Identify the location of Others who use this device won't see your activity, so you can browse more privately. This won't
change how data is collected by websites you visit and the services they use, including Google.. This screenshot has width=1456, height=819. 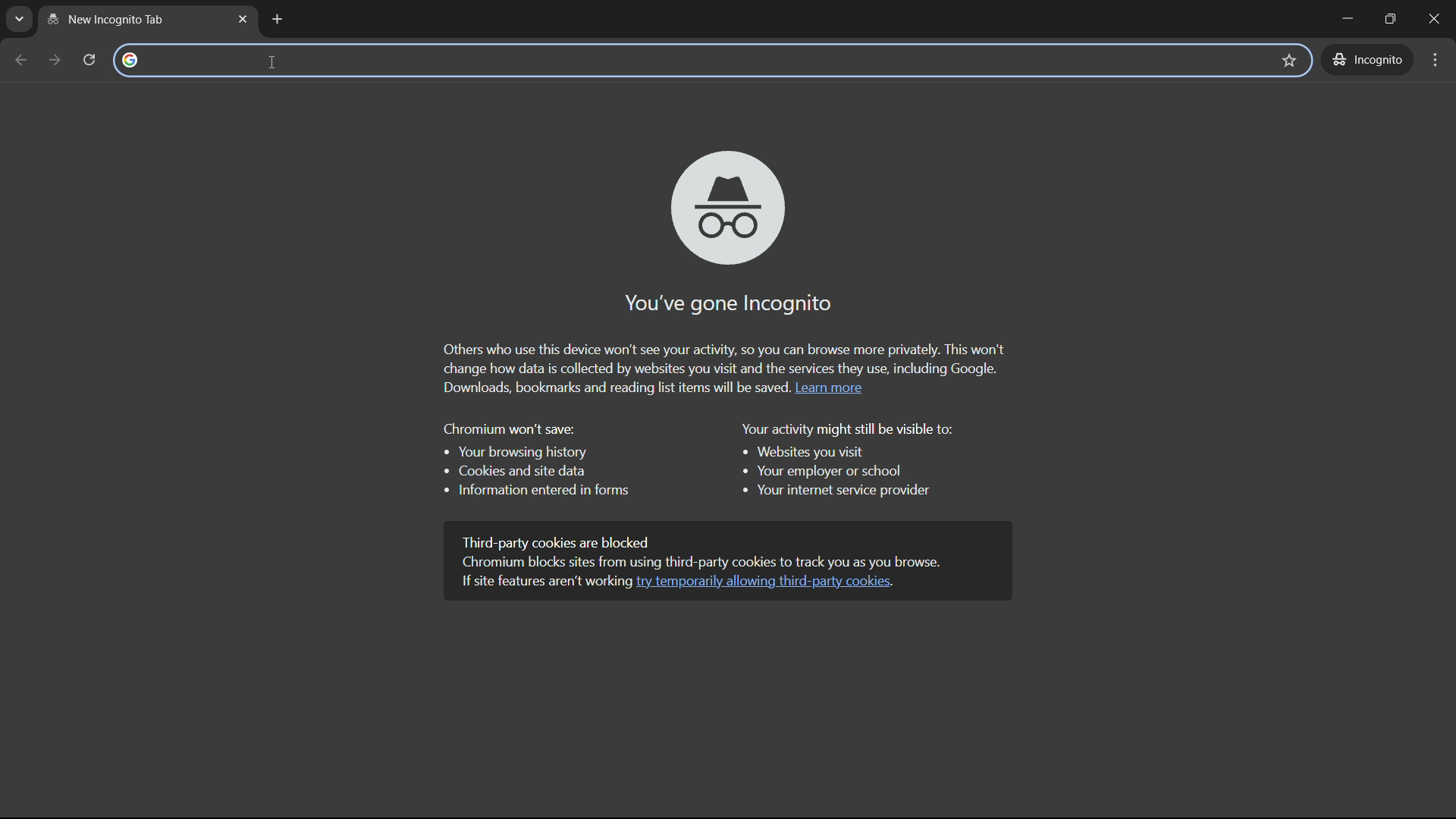
(725, 354).